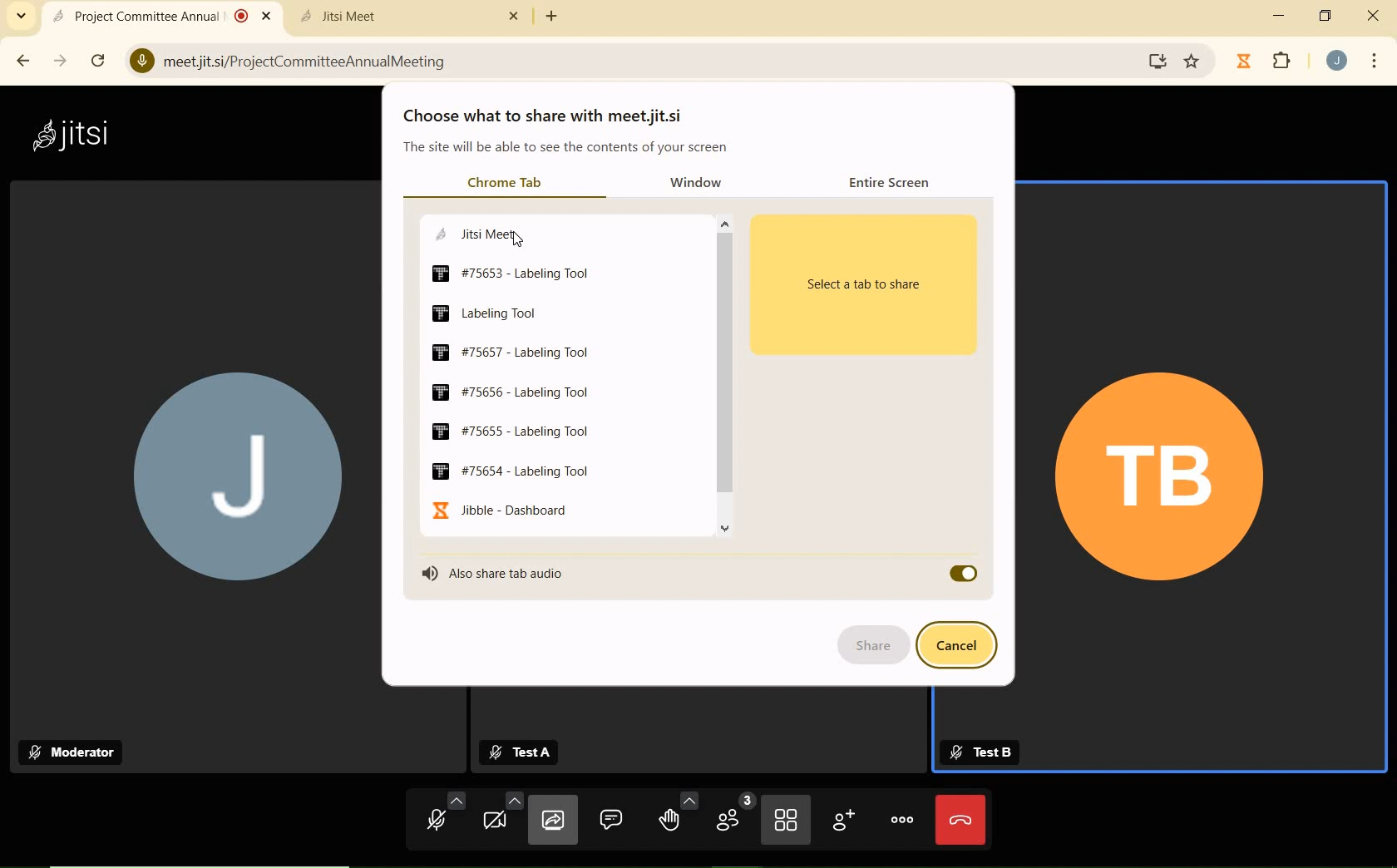  What do you see at coordinates (678, 812) in the screenshot?
I see `raise your hand` at bounding box center [678, 812].